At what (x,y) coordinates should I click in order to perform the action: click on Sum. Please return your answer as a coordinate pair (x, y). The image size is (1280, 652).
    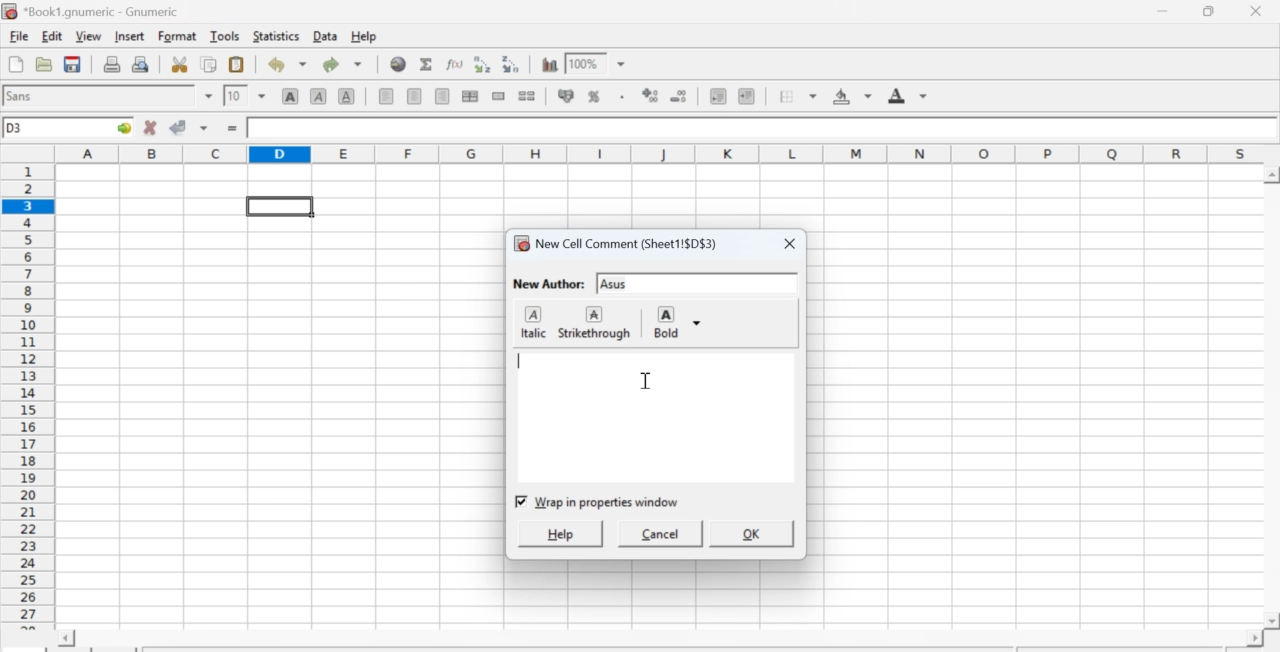
    Looking at the image, I should click on (428, 65).